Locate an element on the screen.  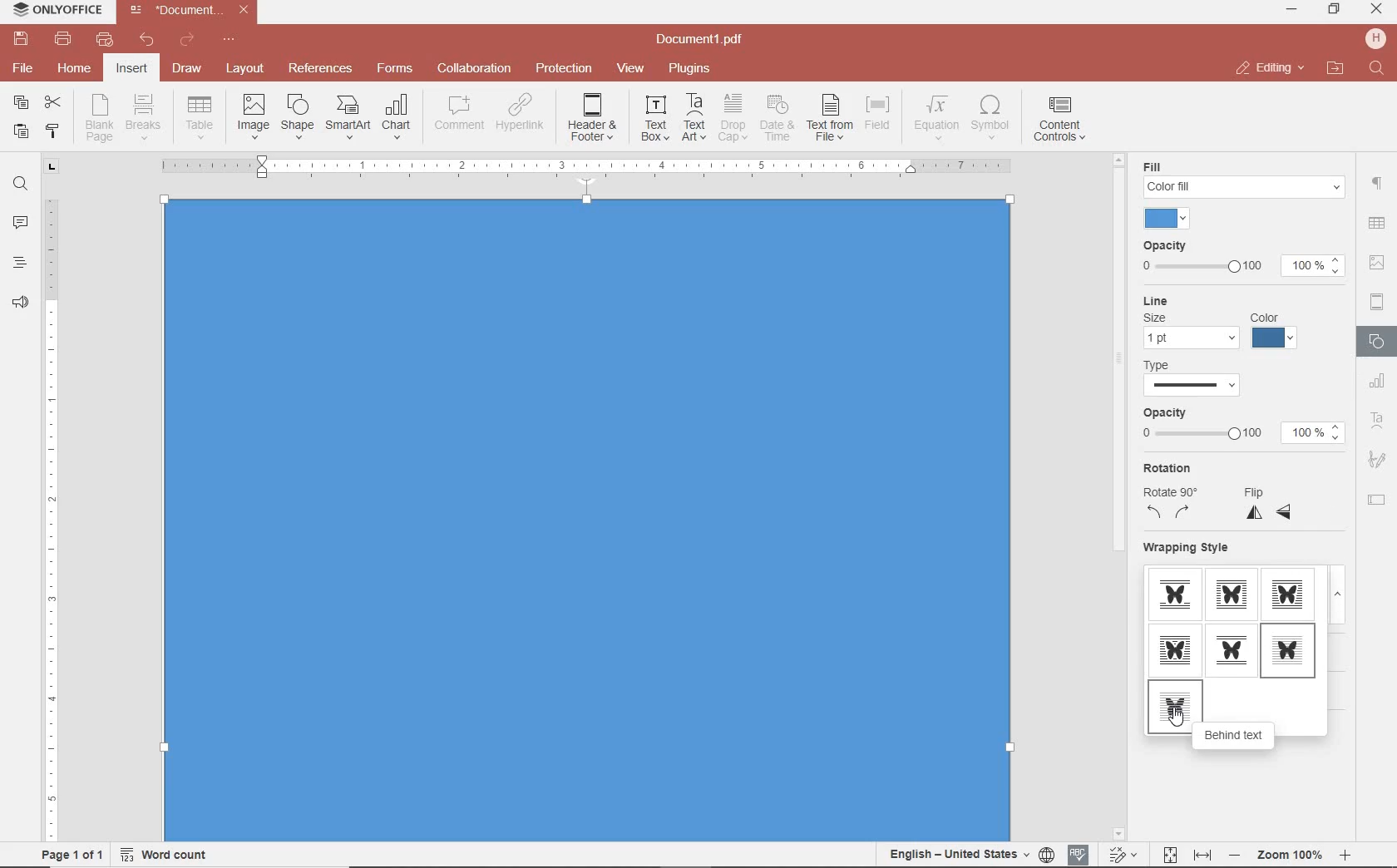
reference is located at coordinates (318, 69).